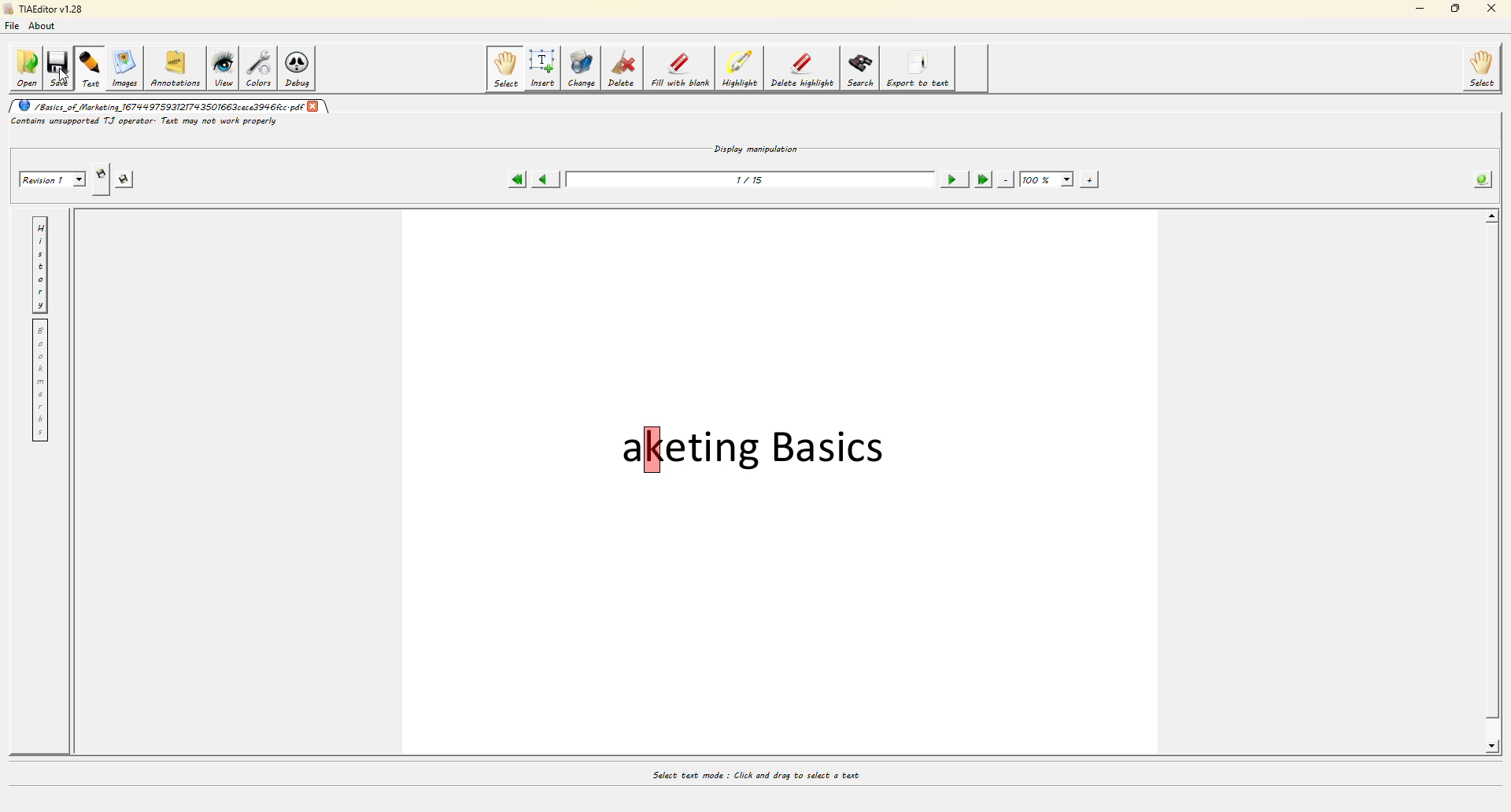 The width and height of the screenshot is (1511, 812). I want to click on /Basics_of Marketing_1674497593121743501663cece3946fcc.pdf, so click(157, 105).